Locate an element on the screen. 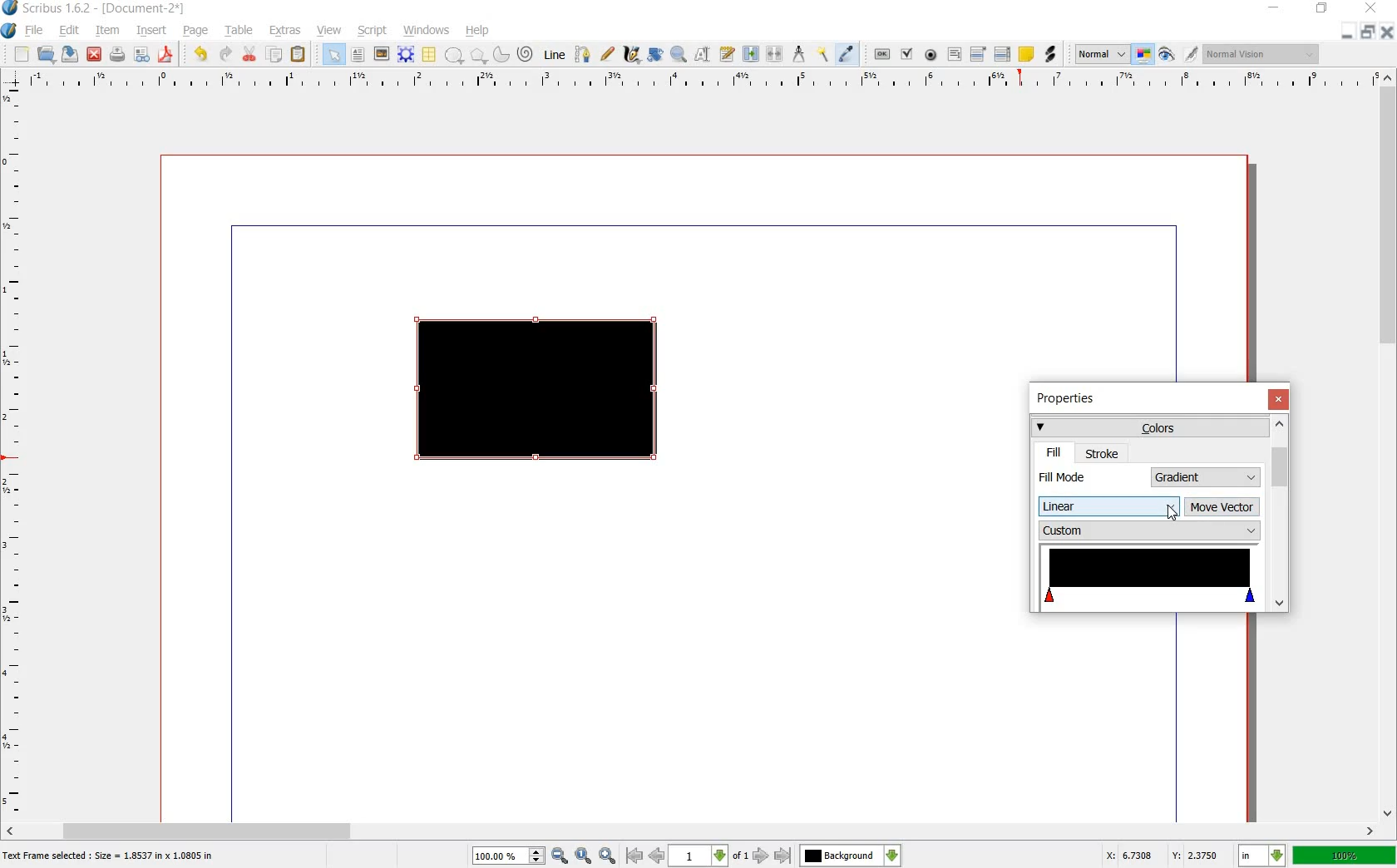 The width and height of the screenshot is (1397, 868). scribus 1.6.2 - [document-2*] is located at coordinates (110, 9).